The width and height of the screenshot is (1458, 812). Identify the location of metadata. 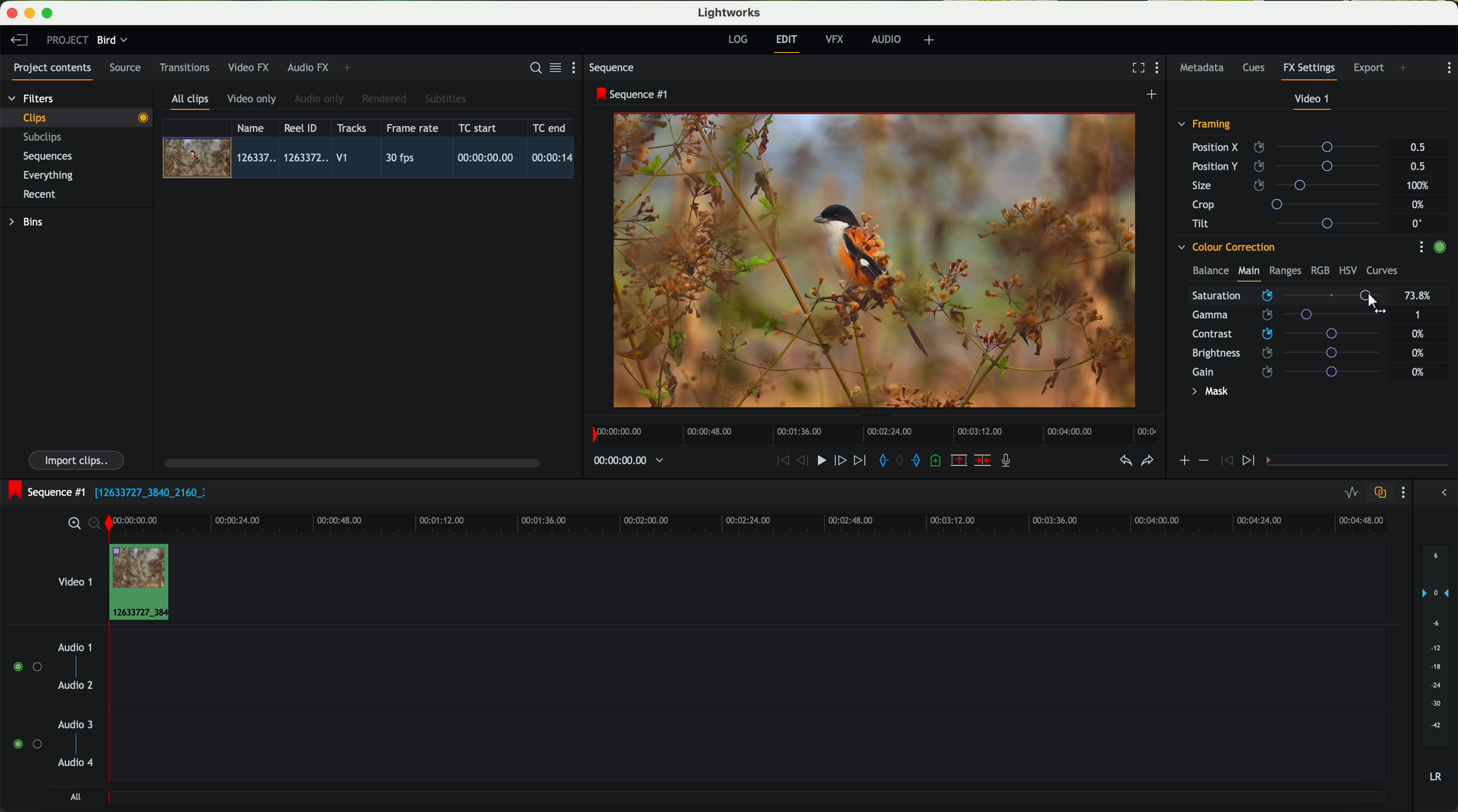
(1204, 68).